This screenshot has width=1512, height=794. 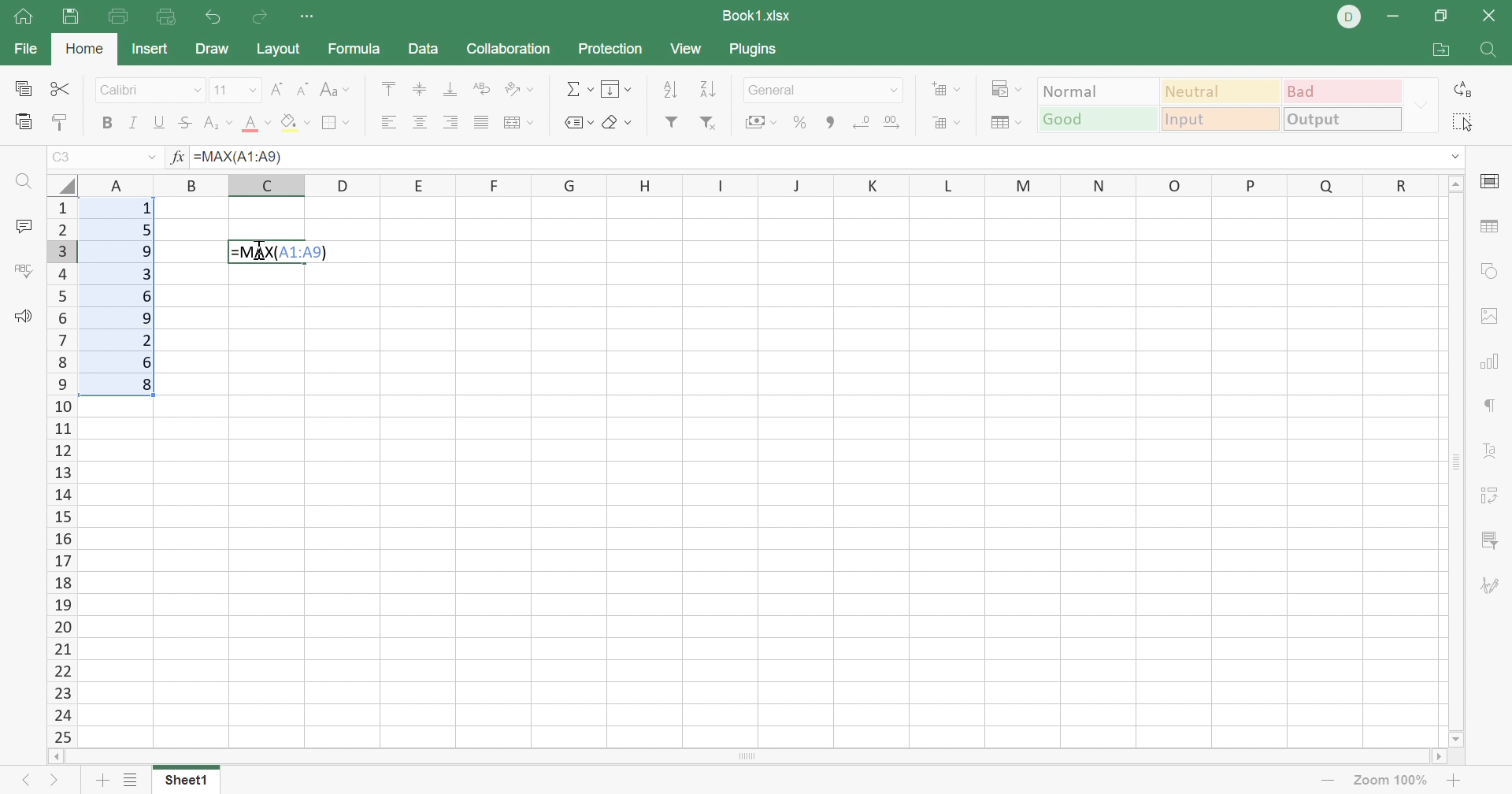 I want to click on Align Left, so click(x=390, y=122).